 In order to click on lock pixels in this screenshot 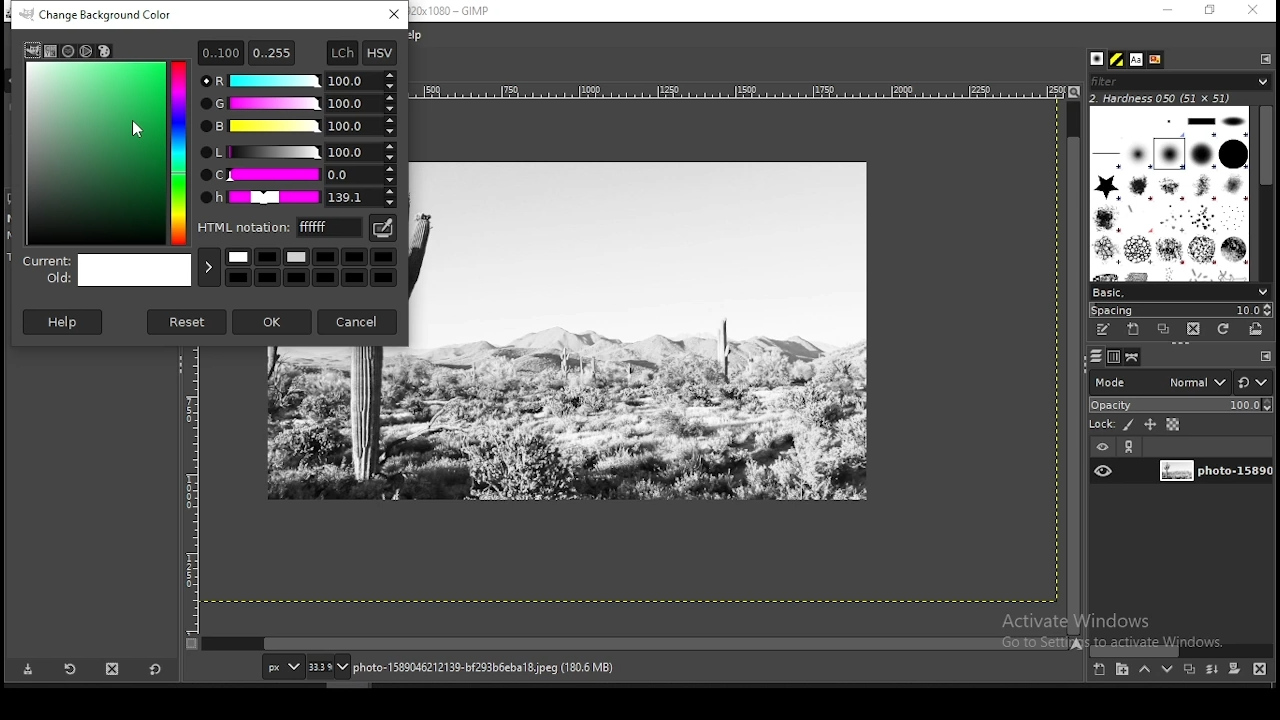, I will do `click(1111, 423)`.